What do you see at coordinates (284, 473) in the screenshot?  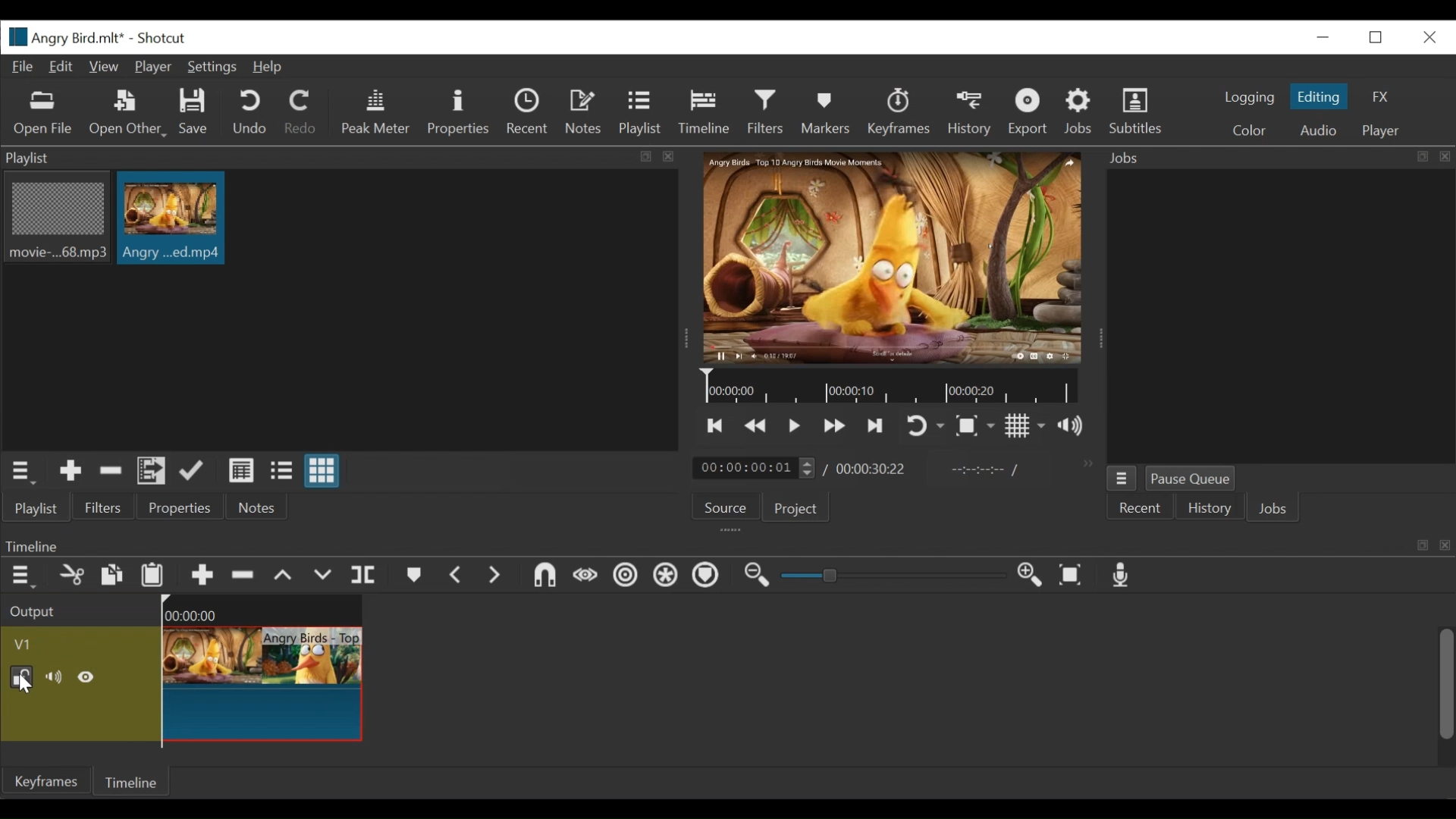 I see `View as file` at bounding box center [284, 473].